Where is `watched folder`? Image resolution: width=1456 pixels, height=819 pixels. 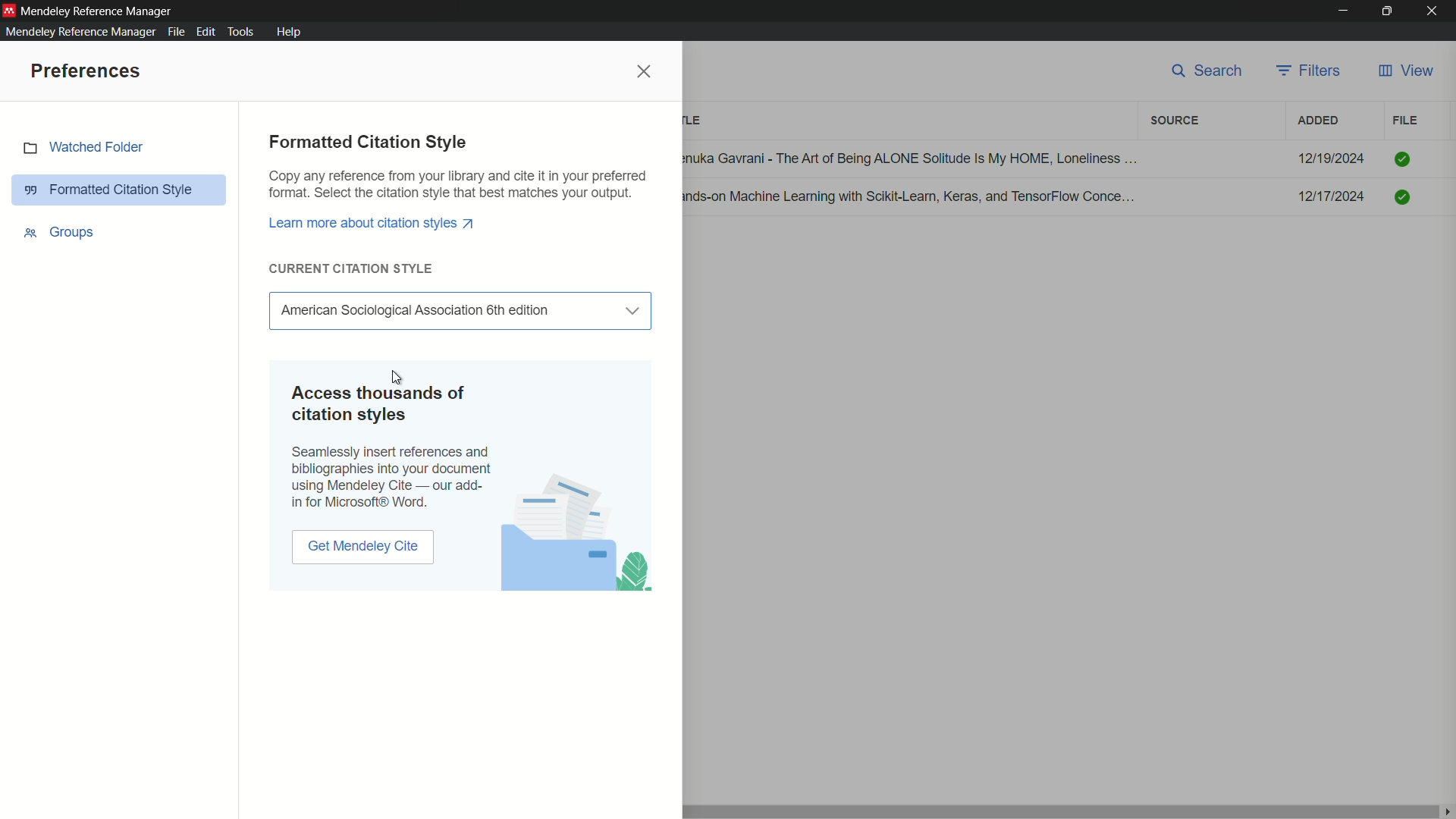 watched folder is located at coordinates (83, 149).